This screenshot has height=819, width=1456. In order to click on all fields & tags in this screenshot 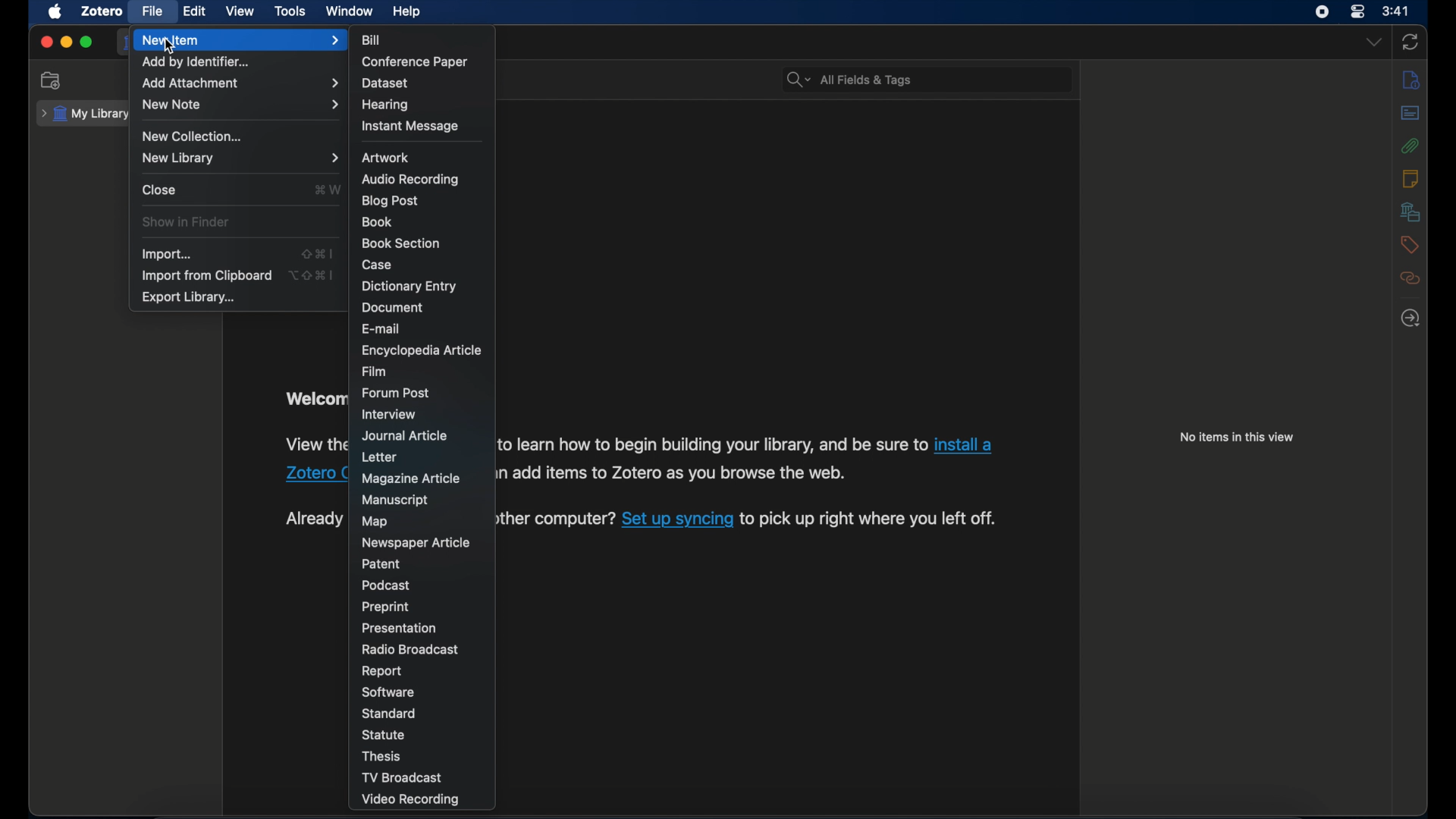, I will do `click(850, 80)`.